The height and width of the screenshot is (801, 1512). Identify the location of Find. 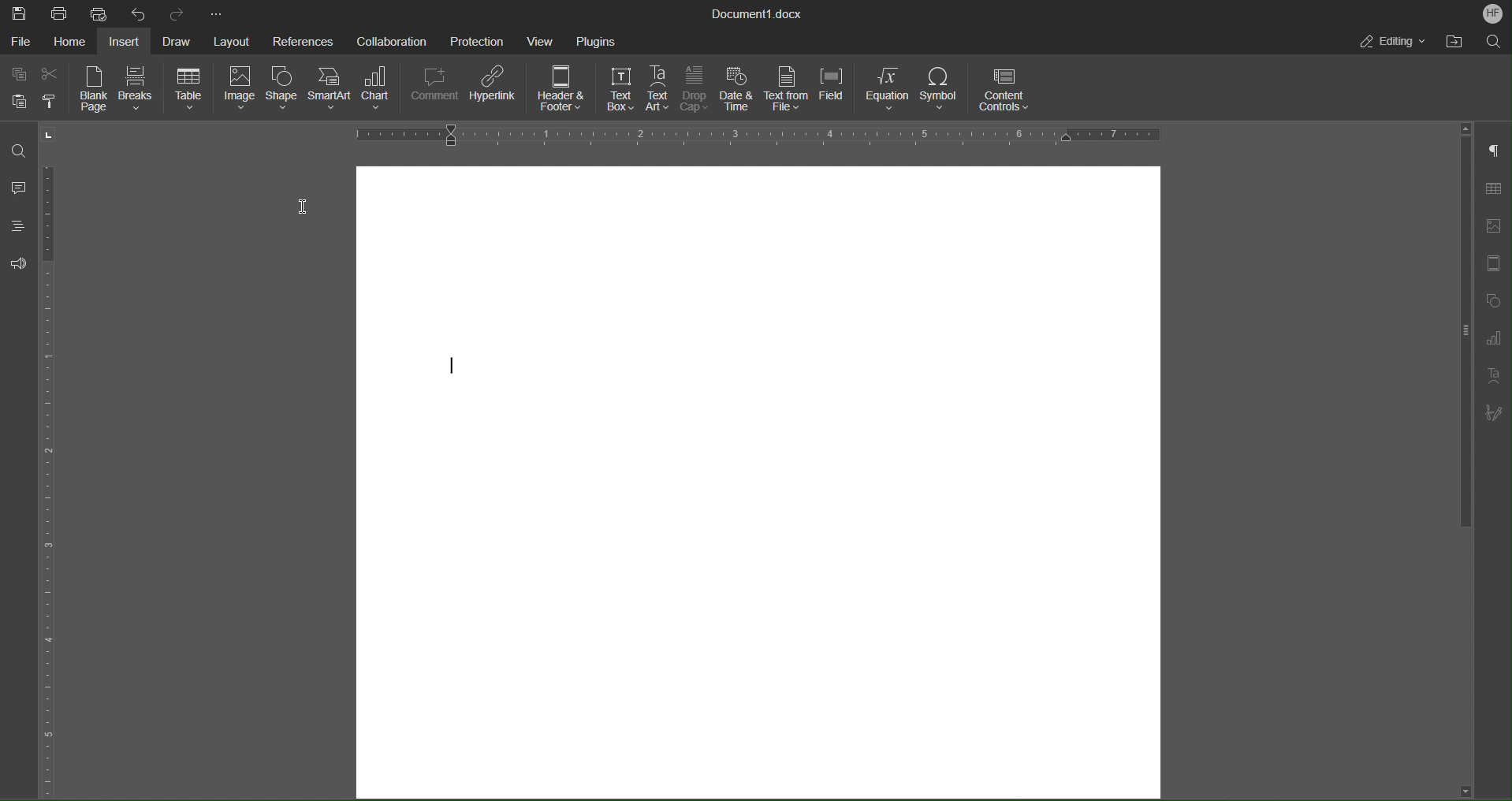
(19, 152).